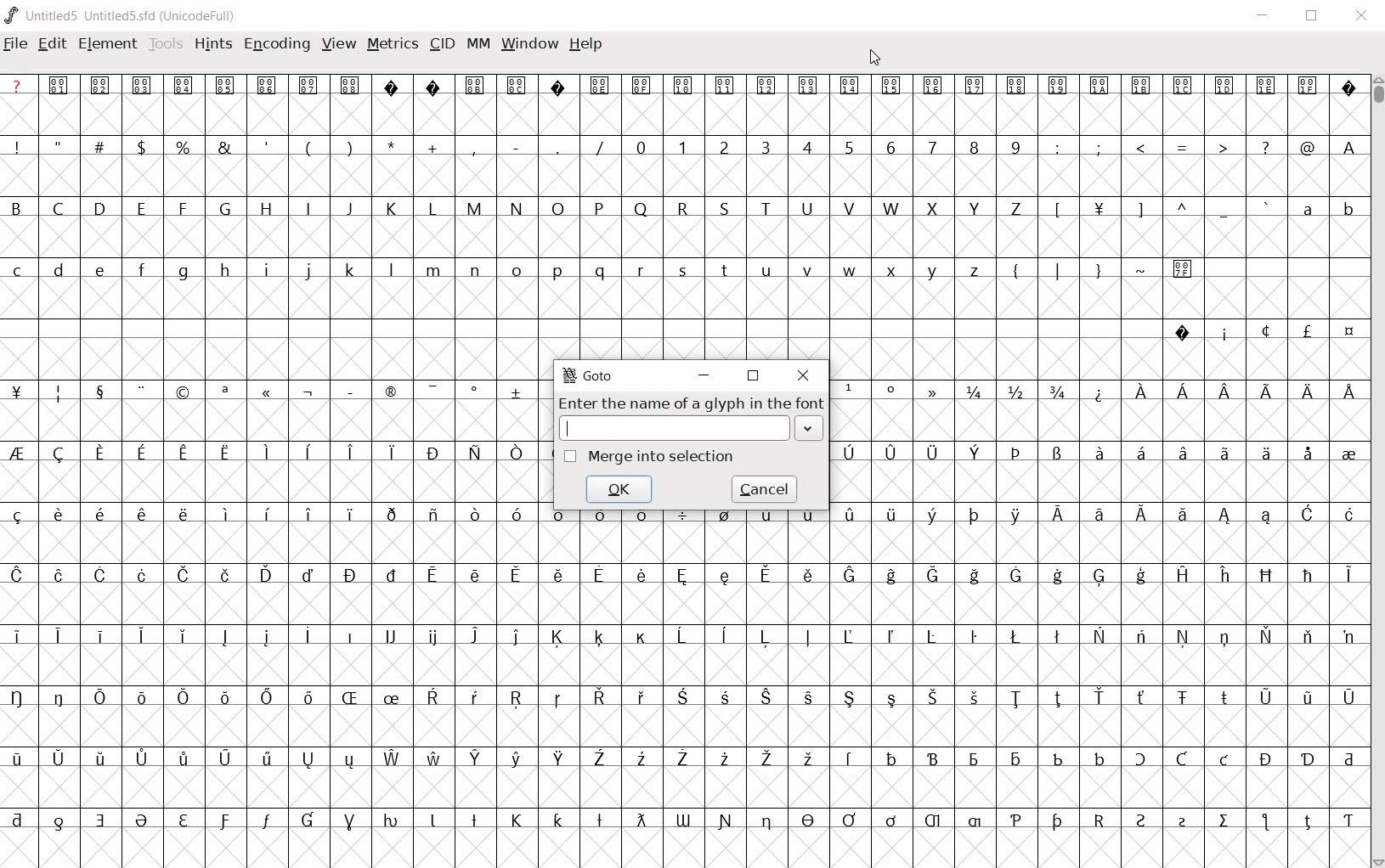 The width and height of the screenshot is (1385, 868). What do you see at coordinates (1266, 758) in the screenshot?
I see `Symbol` at bounding box center [1266, 758].